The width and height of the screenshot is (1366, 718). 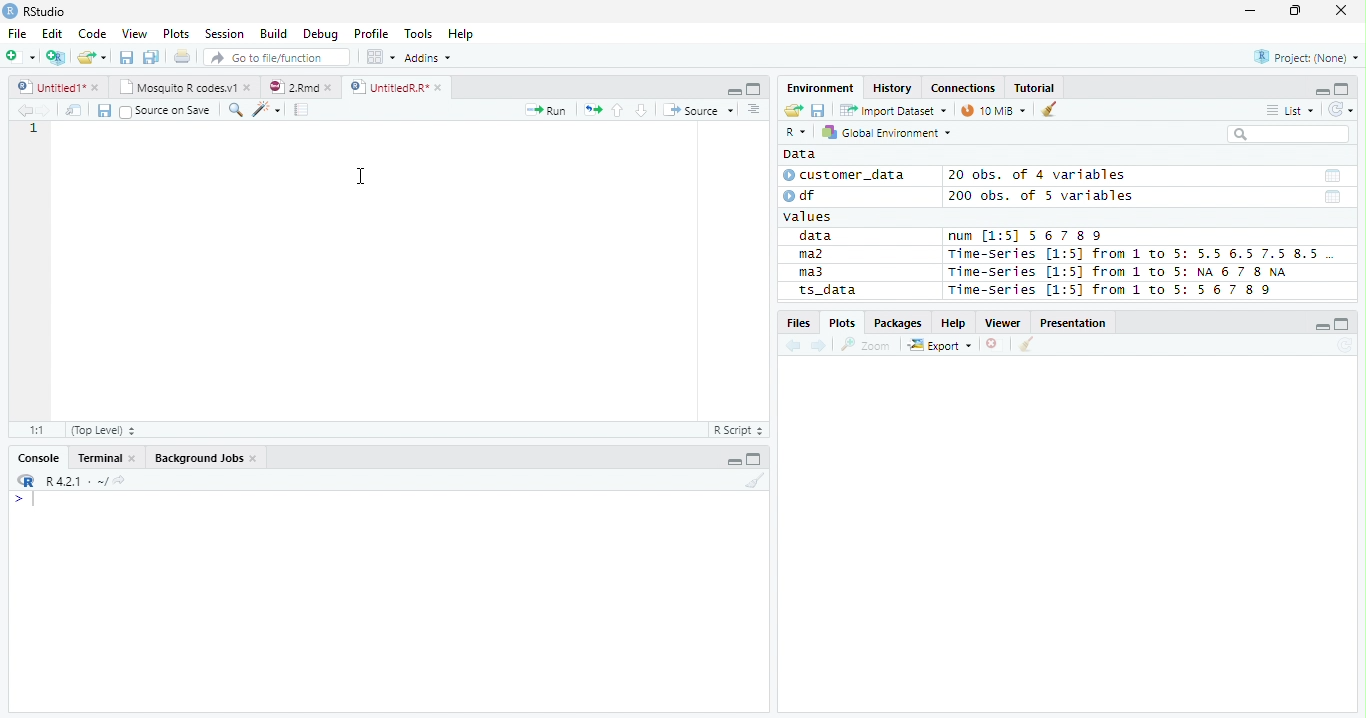 What do you see at coordinates (887, 132) in the screenshot?
I see `Global Environment` at bounding box center [887, 132].